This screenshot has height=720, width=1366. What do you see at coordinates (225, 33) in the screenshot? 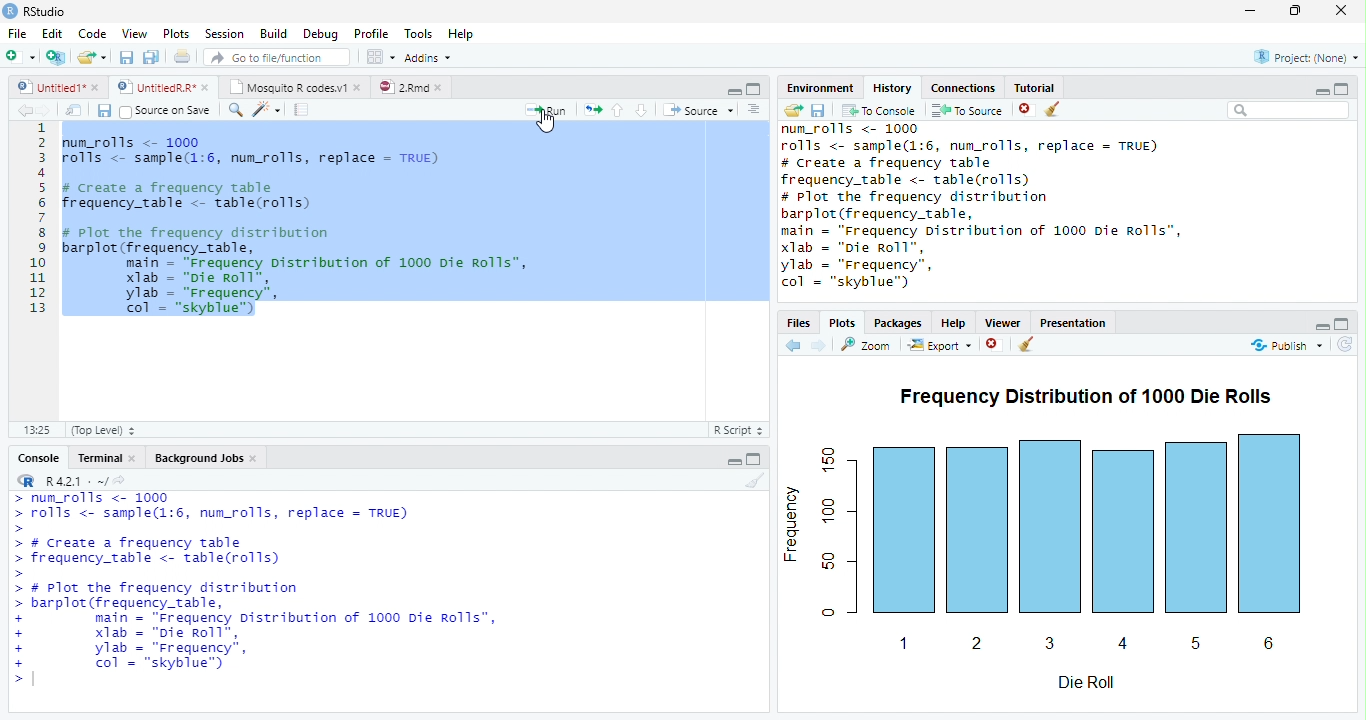
I see `Session` at bounding box center [225, 33].